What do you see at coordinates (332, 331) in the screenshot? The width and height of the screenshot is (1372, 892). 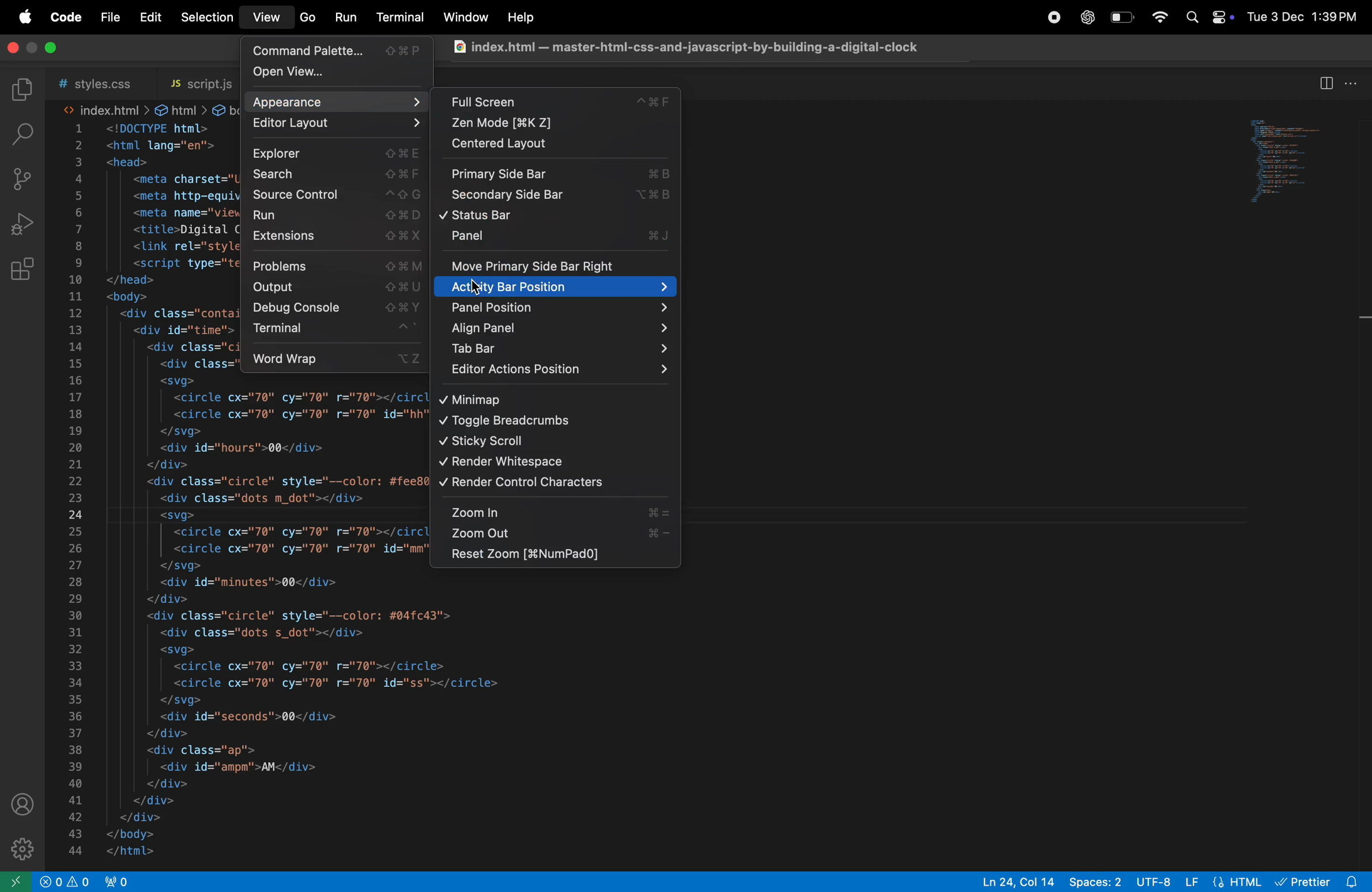 I see `terminal` at bounding box center [332, 331].